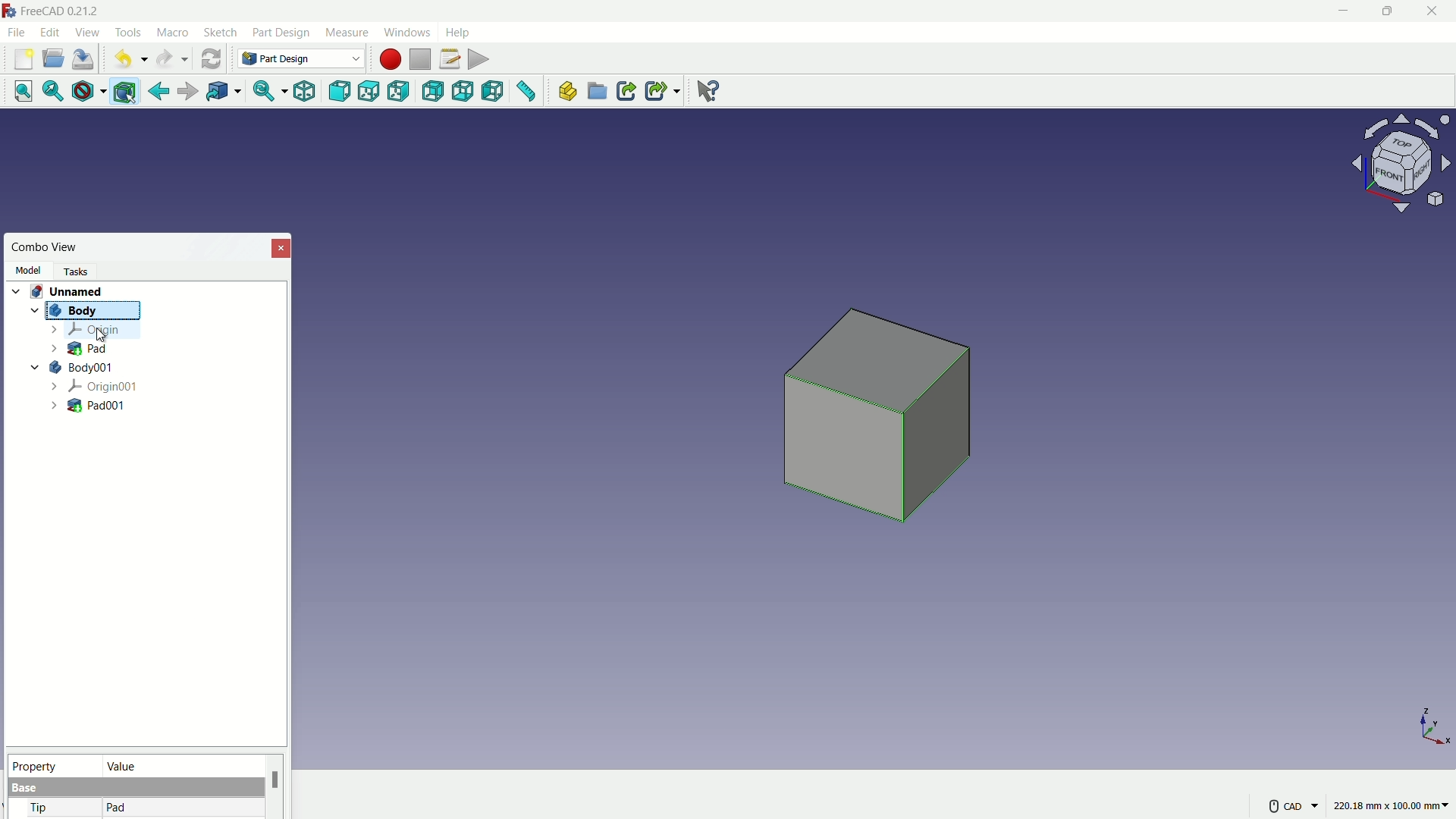 The width and height of the screenshot is (1456, 819). What do you see at coordinates (281, 33) in the screenshot?
I see `part design` at bounding box center [281, 33].